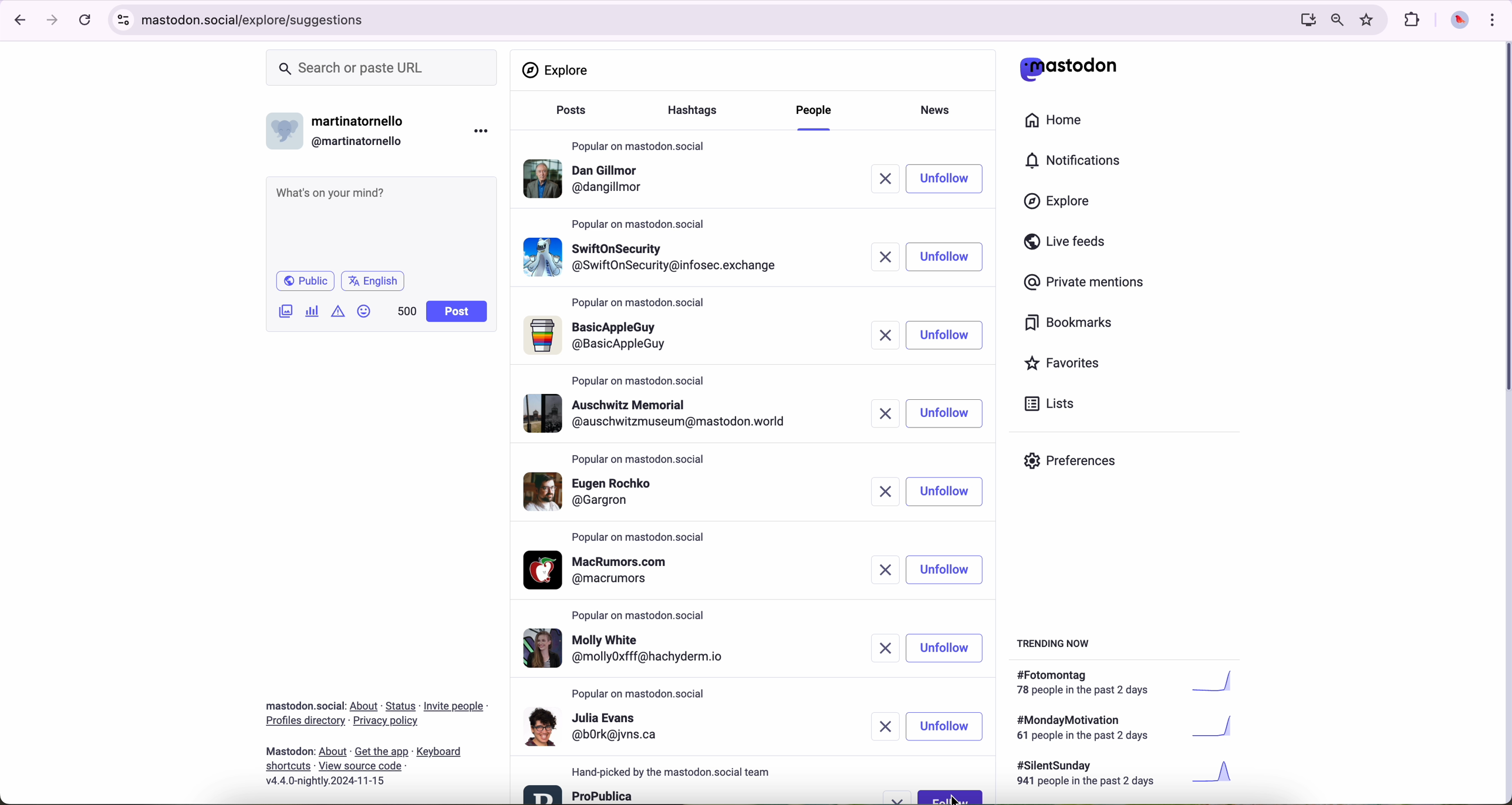  I want to click on popular on mastodon.social, so click(640, 538).